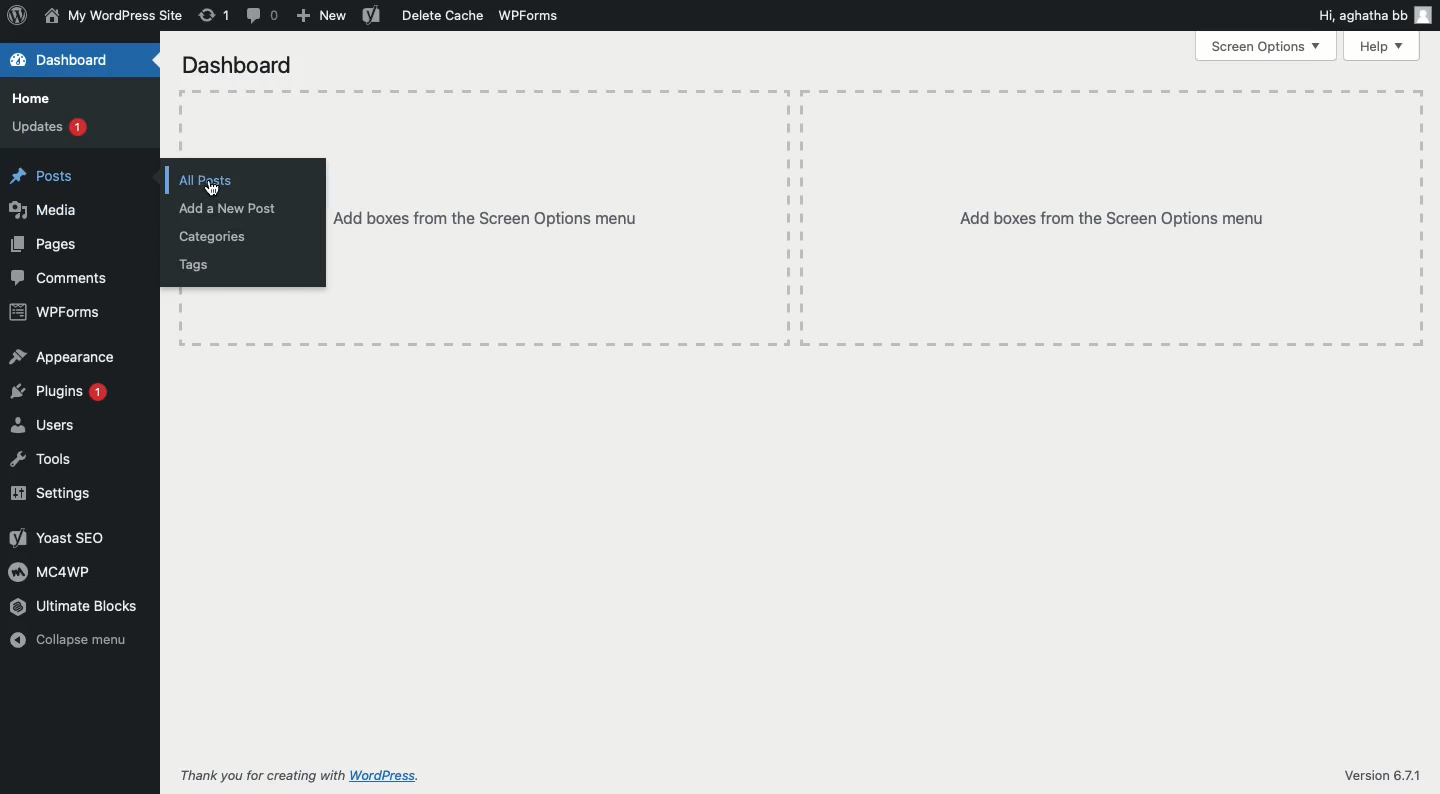 The width and height of the screenshot is (1440, 794). What do you see at coordinates (215, 16) in the screenshot?
I see `rework` at bounding box center [215, 16].